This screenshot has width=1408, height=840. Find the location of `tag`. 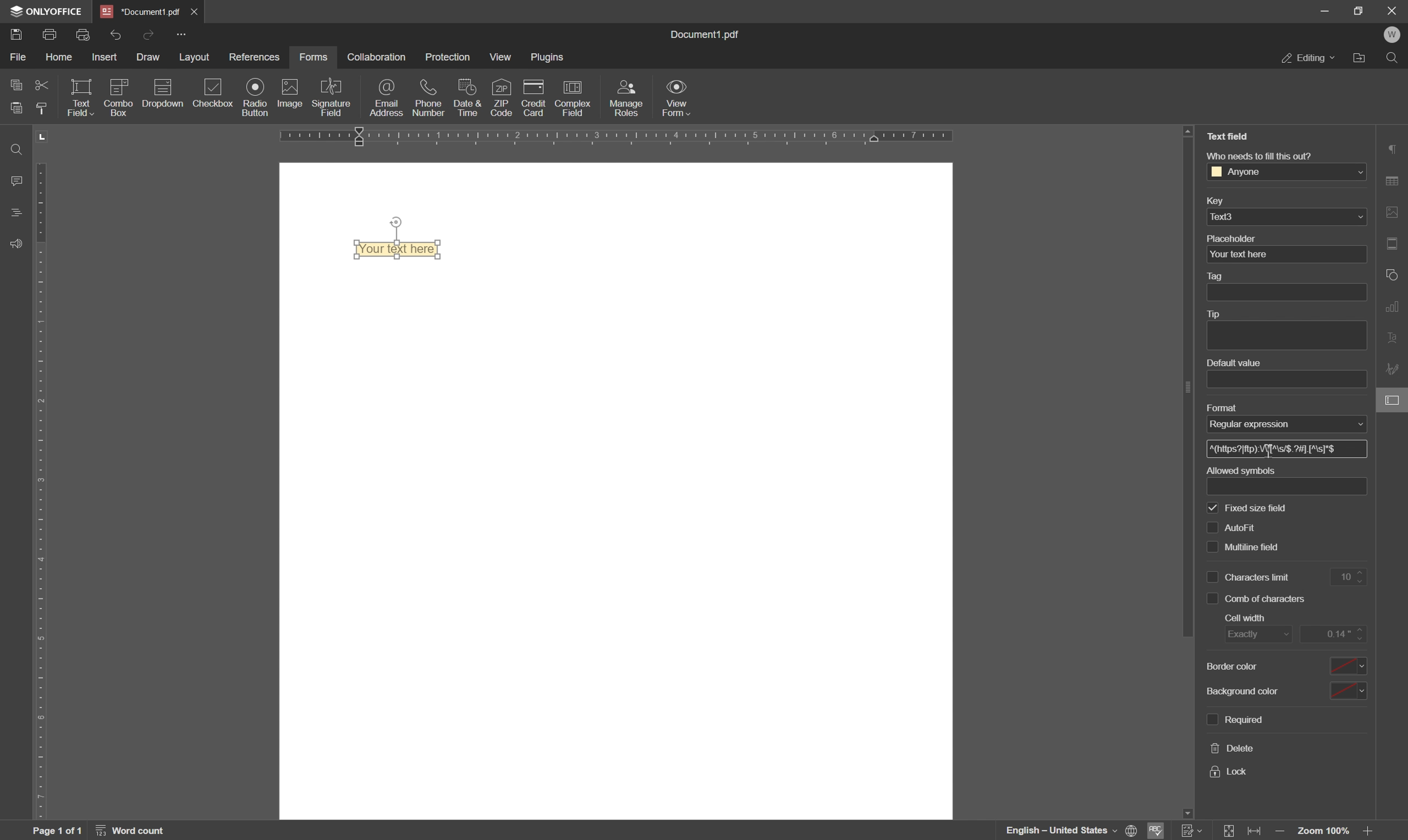

tag is located at coordinates (1218, 277).